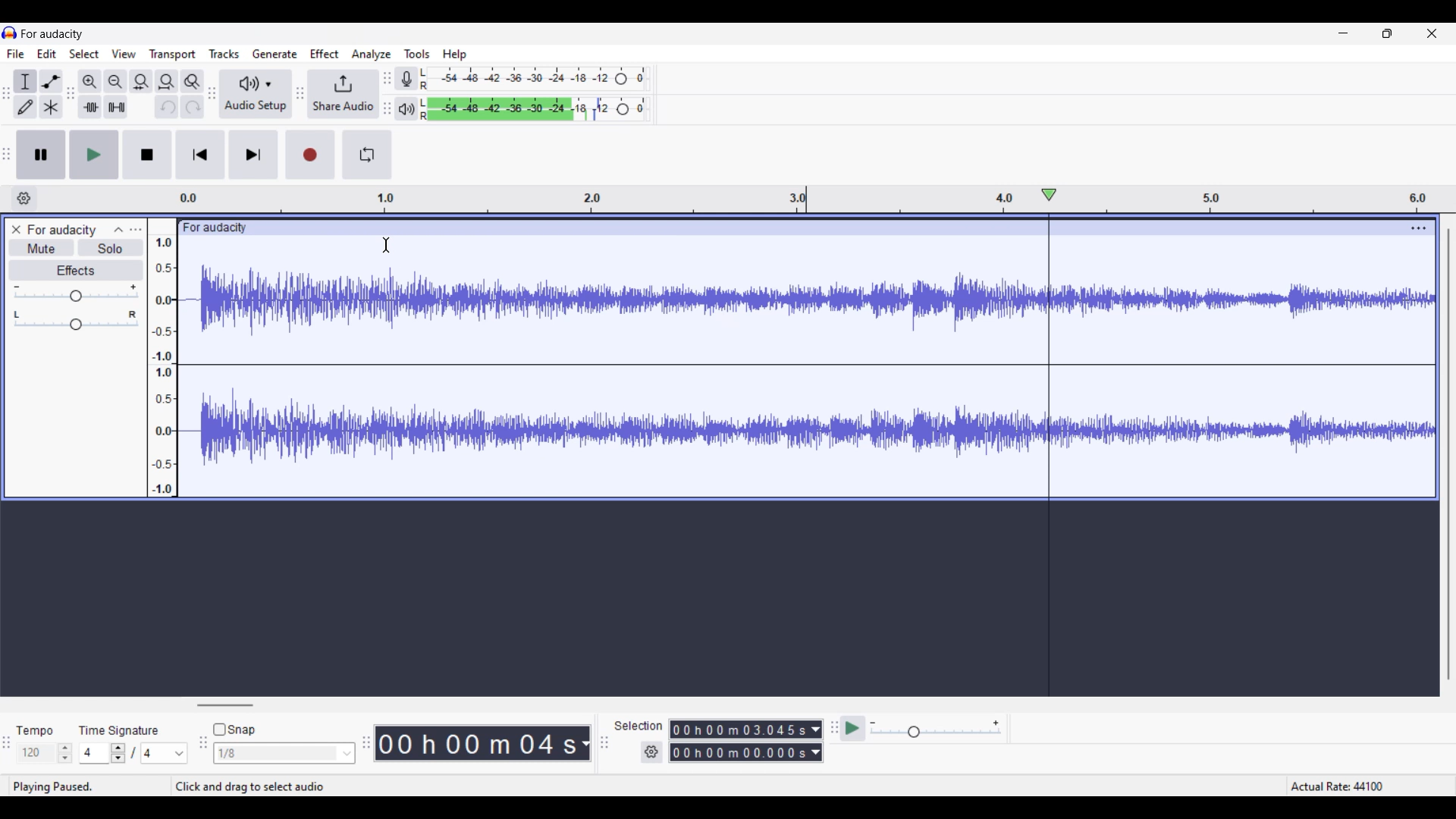  What do you see at coordinates (62, 231) in the screenshot?
I see `for audacity` at bounding box center [62, 231].